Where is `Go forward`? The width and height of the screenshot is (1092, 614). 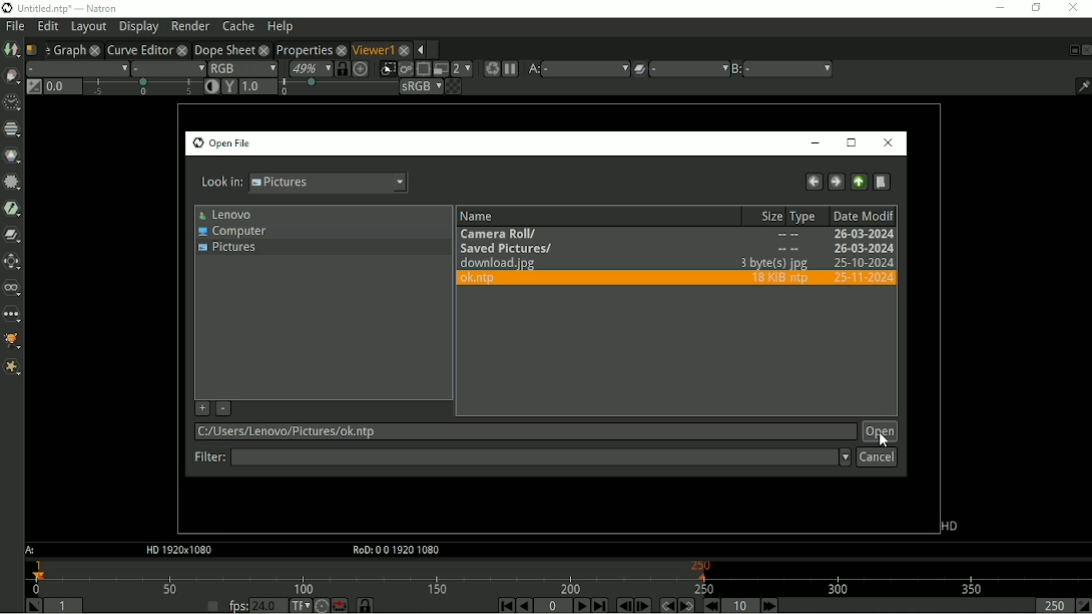 Go forward is located at coordinates (836, 182).